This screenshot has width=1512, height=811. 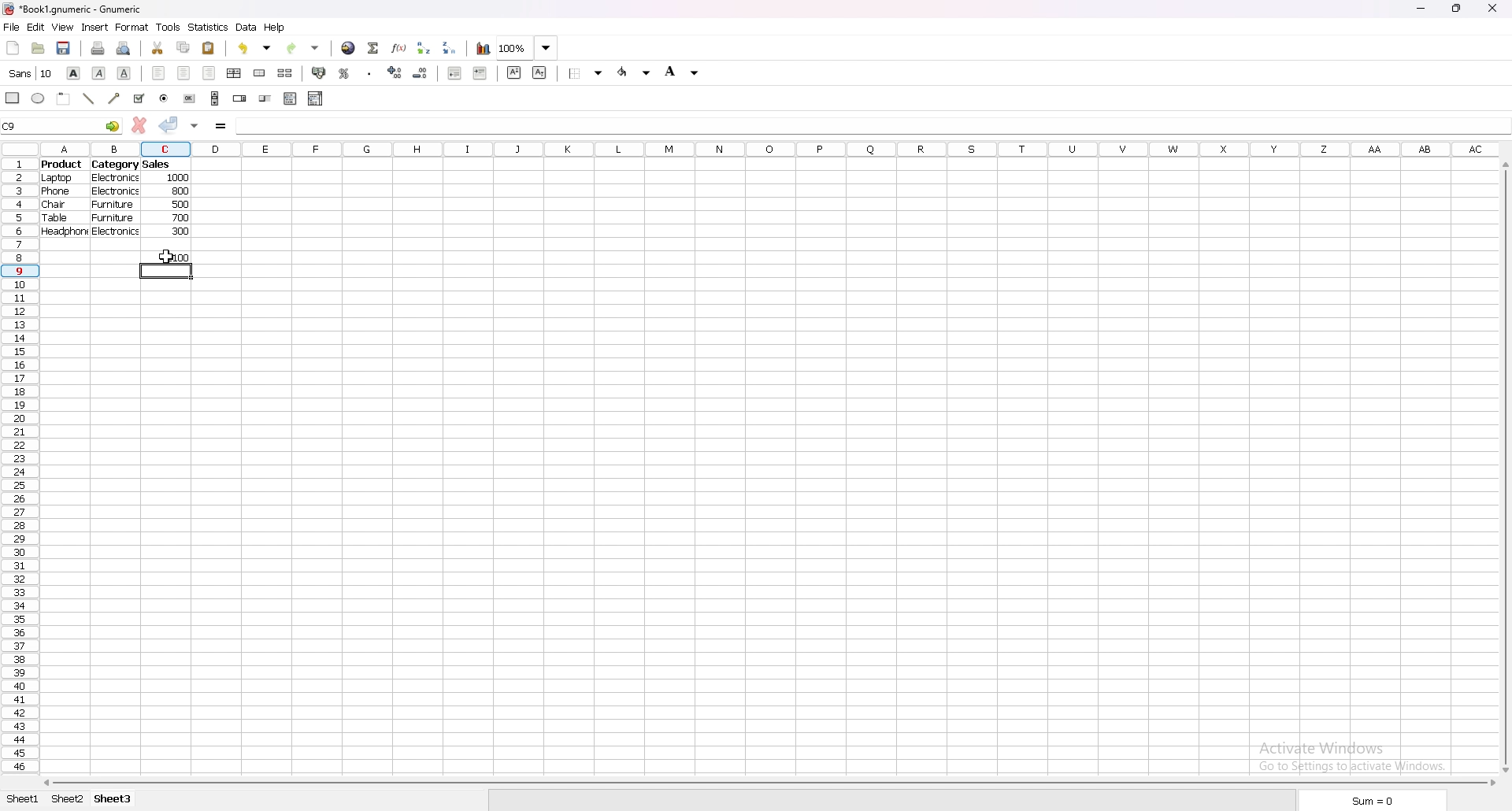 I want to click on paste, so click(x=209, y=48).